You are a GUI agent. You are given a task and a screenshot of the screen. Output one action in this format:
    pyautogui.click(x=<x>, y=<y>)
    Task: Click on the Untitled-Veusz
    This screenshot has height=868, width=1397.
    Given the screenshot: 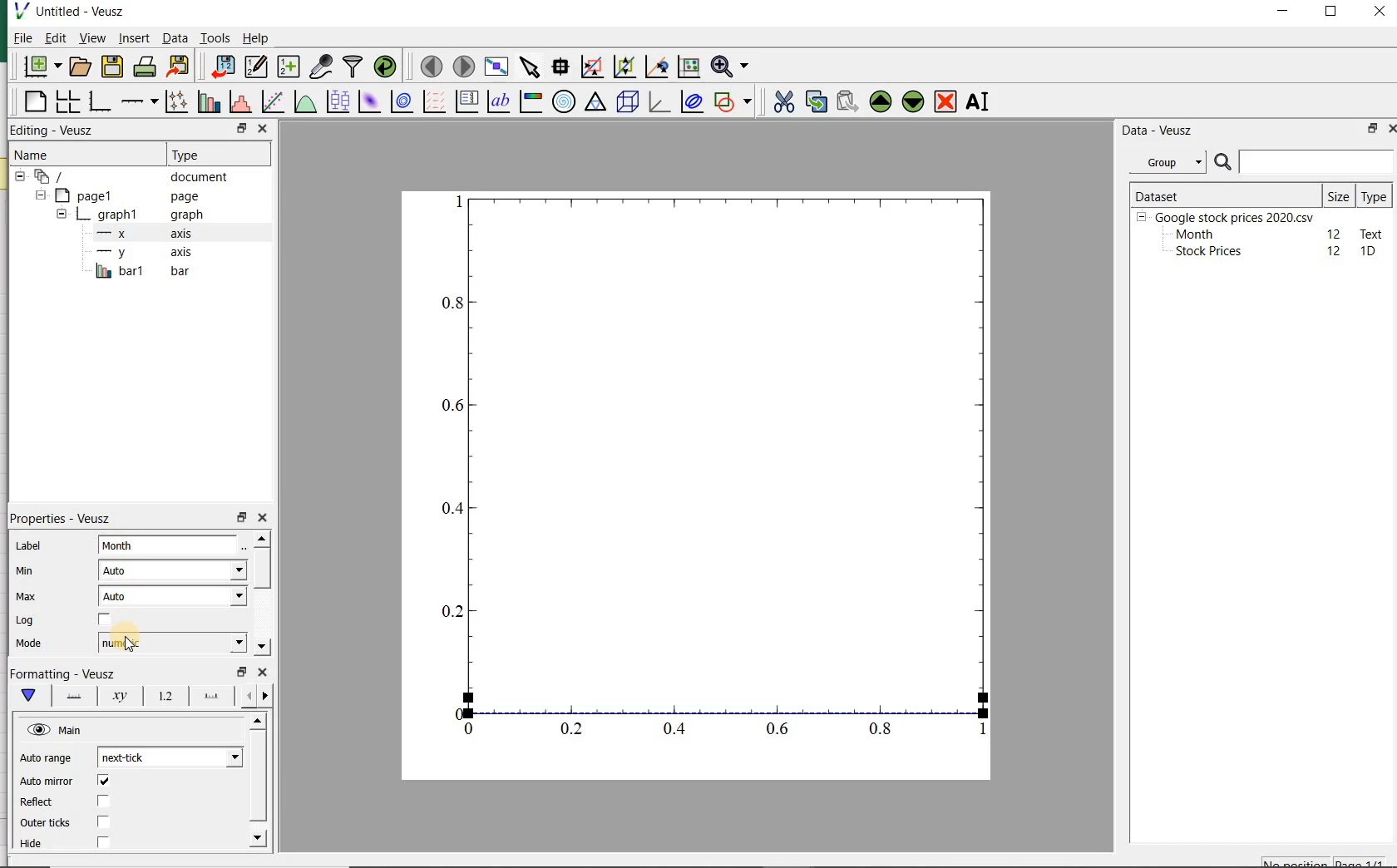 What is the action you would take?
    pyautogui.click(x=77, y=12)
    